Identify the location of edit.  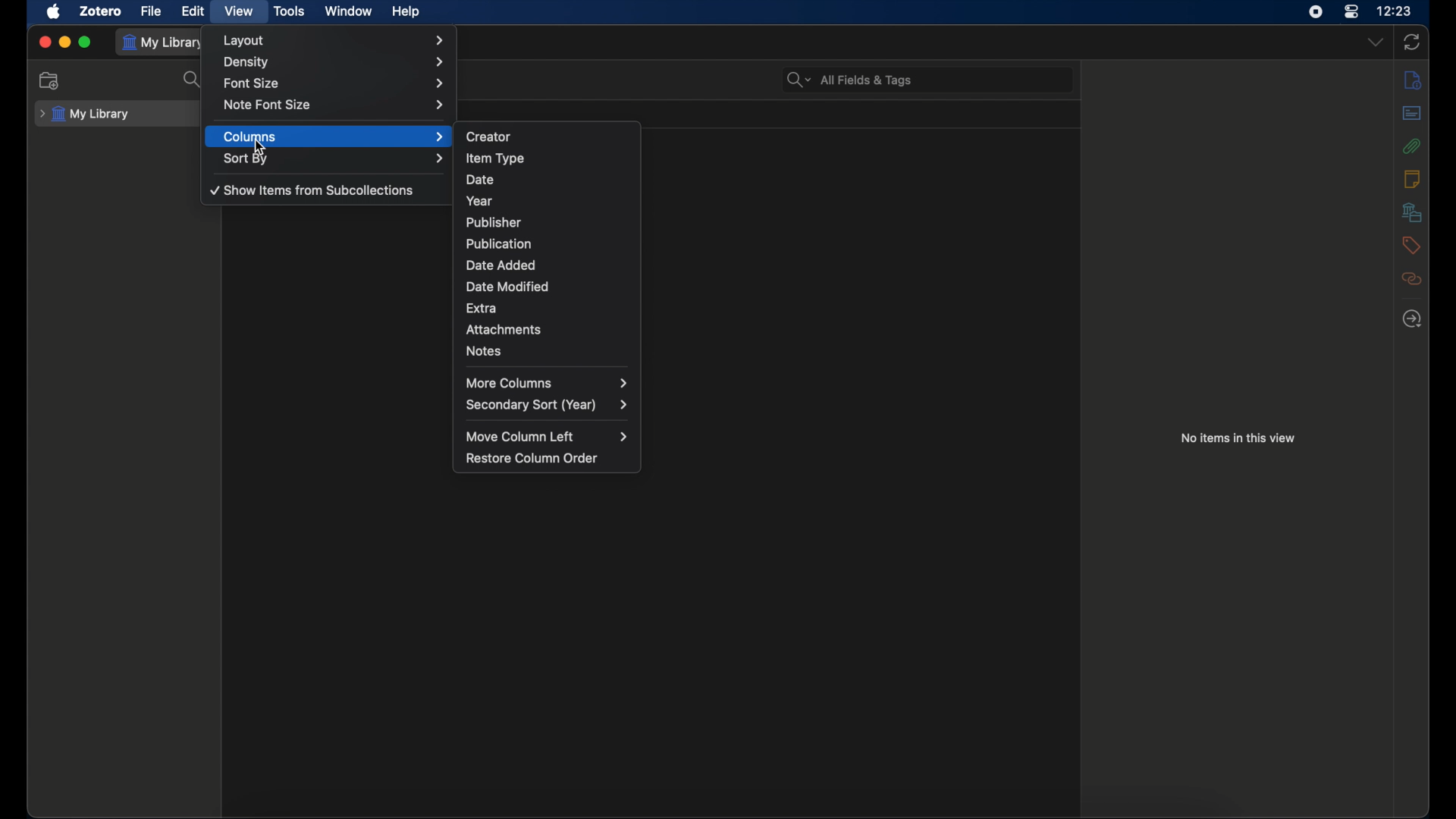
(193, 11).